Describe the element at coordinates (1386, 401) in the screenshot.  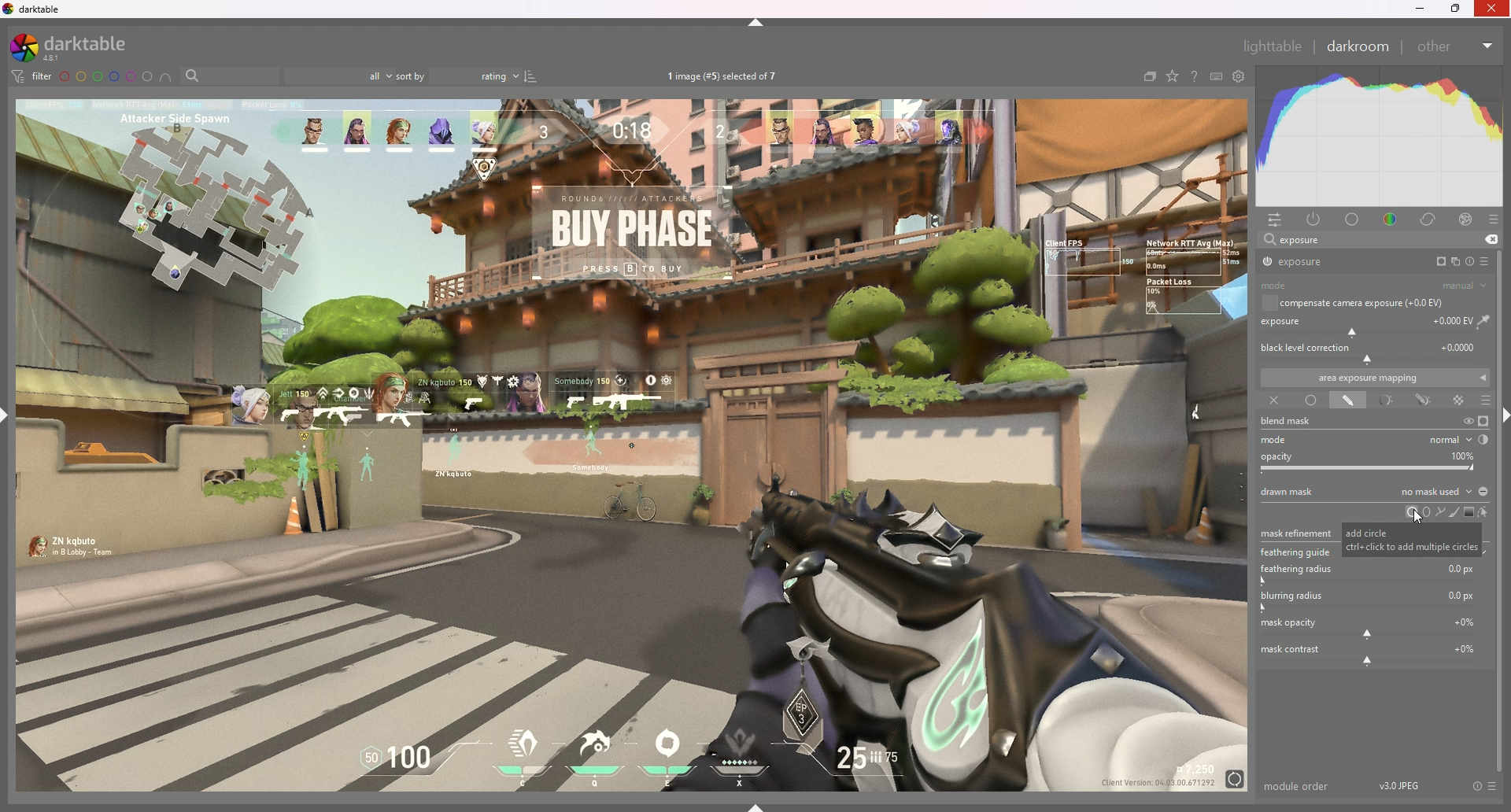
I see `parametric mask` at that location.